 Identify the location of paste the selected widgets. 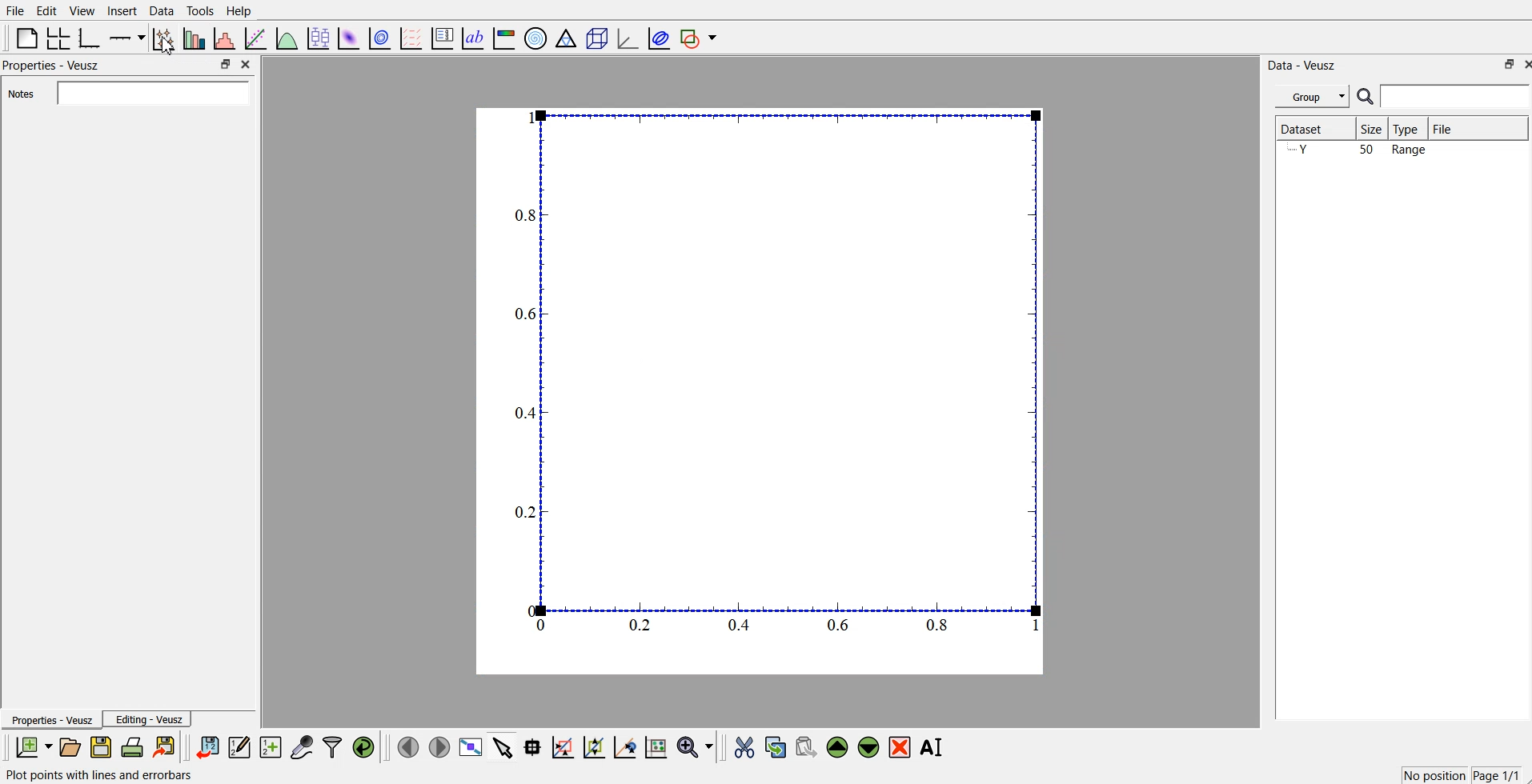
(806, 748).